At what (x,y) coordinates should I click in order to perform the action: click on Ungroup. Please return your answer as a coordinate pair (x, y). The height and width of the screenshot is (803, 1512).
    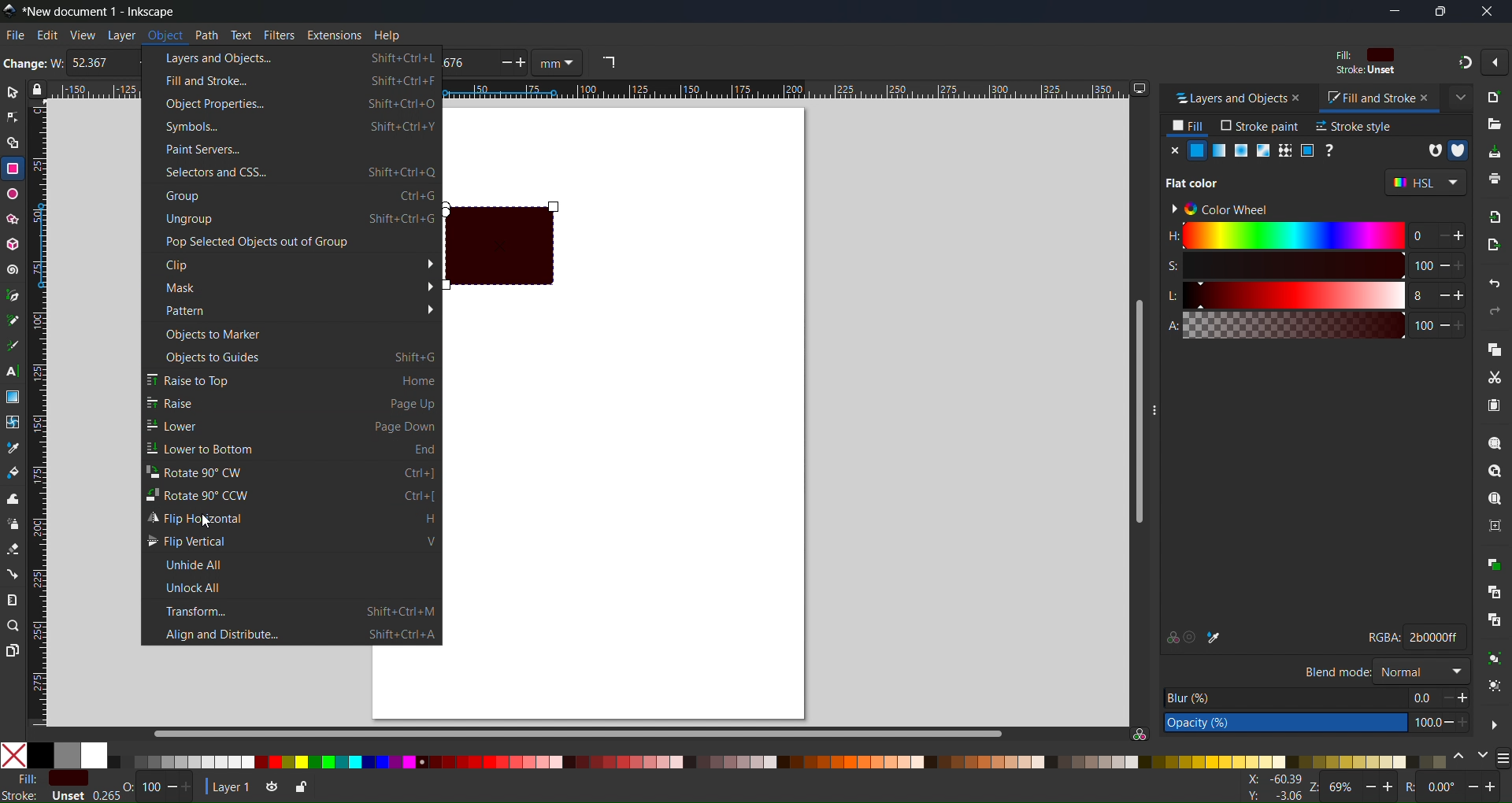
    Looking at the image, I should click on (291, 220).